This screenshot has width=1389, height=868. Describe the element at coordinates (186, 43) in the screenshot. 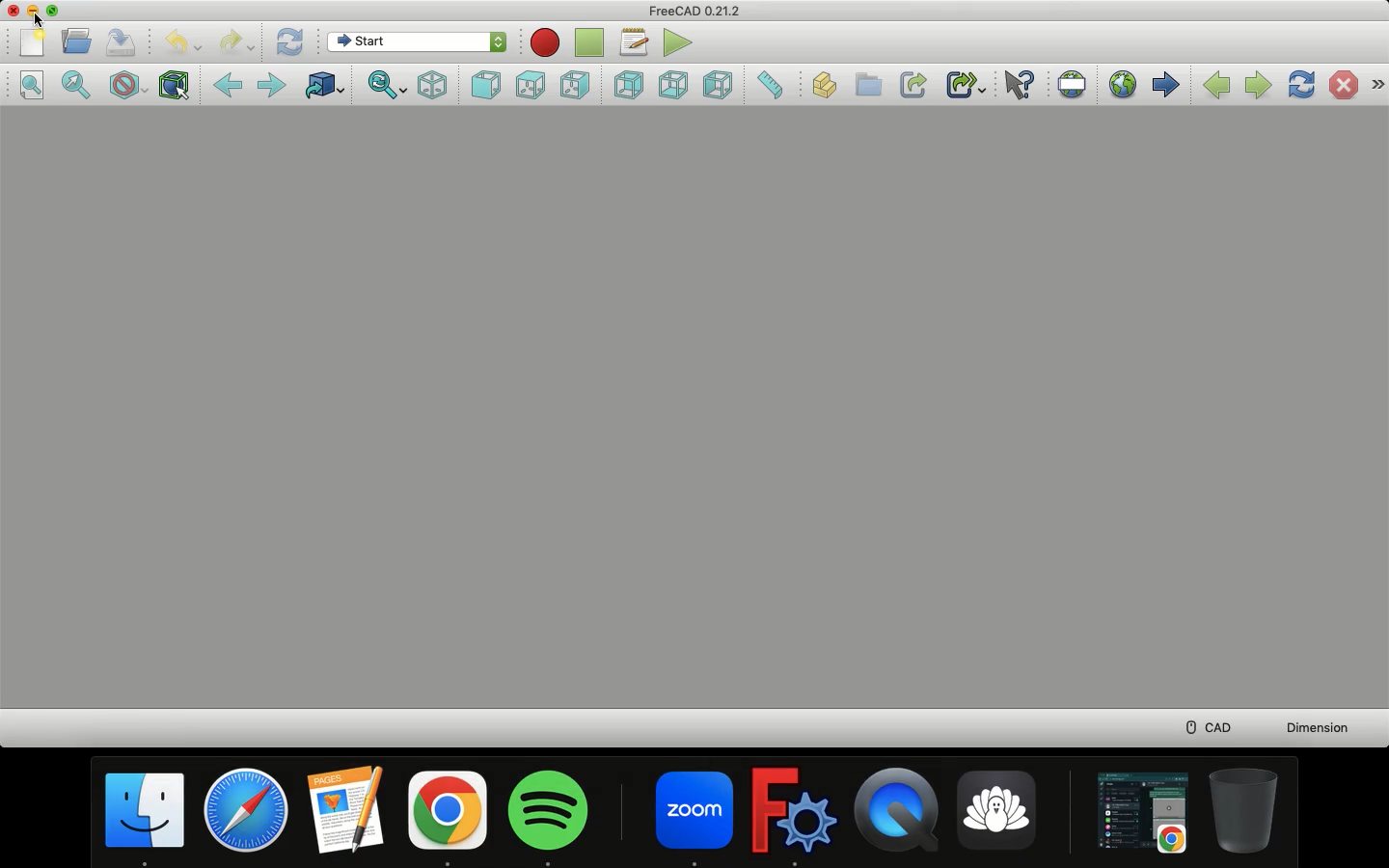

I see `undo` at that location.